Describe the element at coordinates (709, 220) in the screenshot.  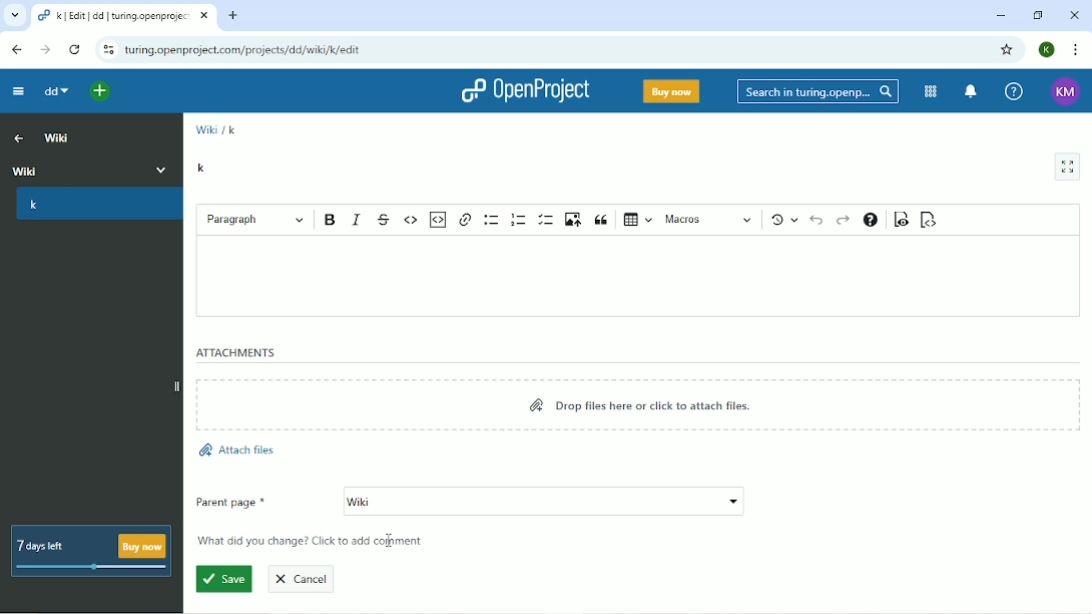
I see `Macros` at that location.